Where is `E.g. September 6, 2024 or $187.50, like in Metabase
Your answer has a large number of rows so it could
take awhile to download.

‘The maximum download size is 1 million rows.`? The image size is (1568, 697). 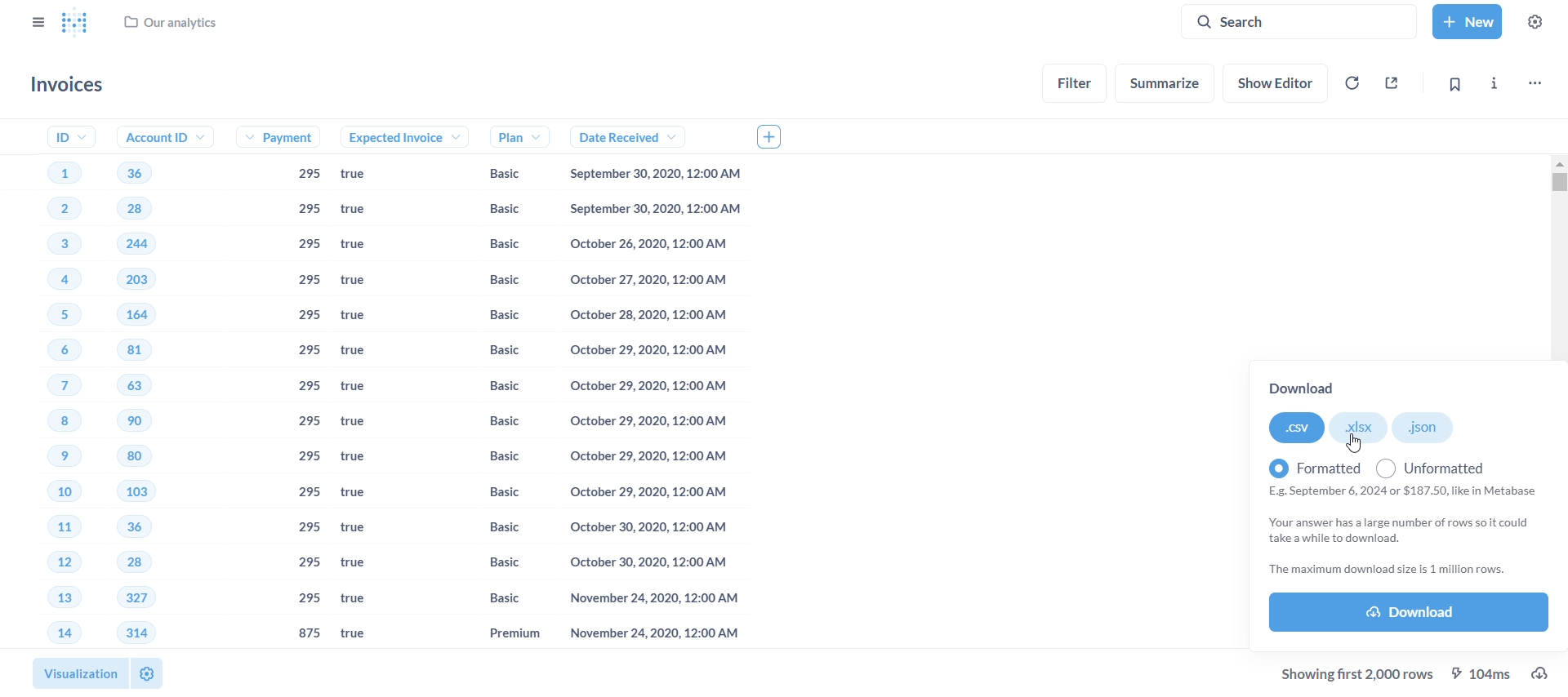
E.g. September 6, 2024 or $187.50, like in Metabase
Your answer has a large number of rows so it could
take awhile to download.

‘The maximum download size is 1 million rows. is located at coordinates (1405, 532).